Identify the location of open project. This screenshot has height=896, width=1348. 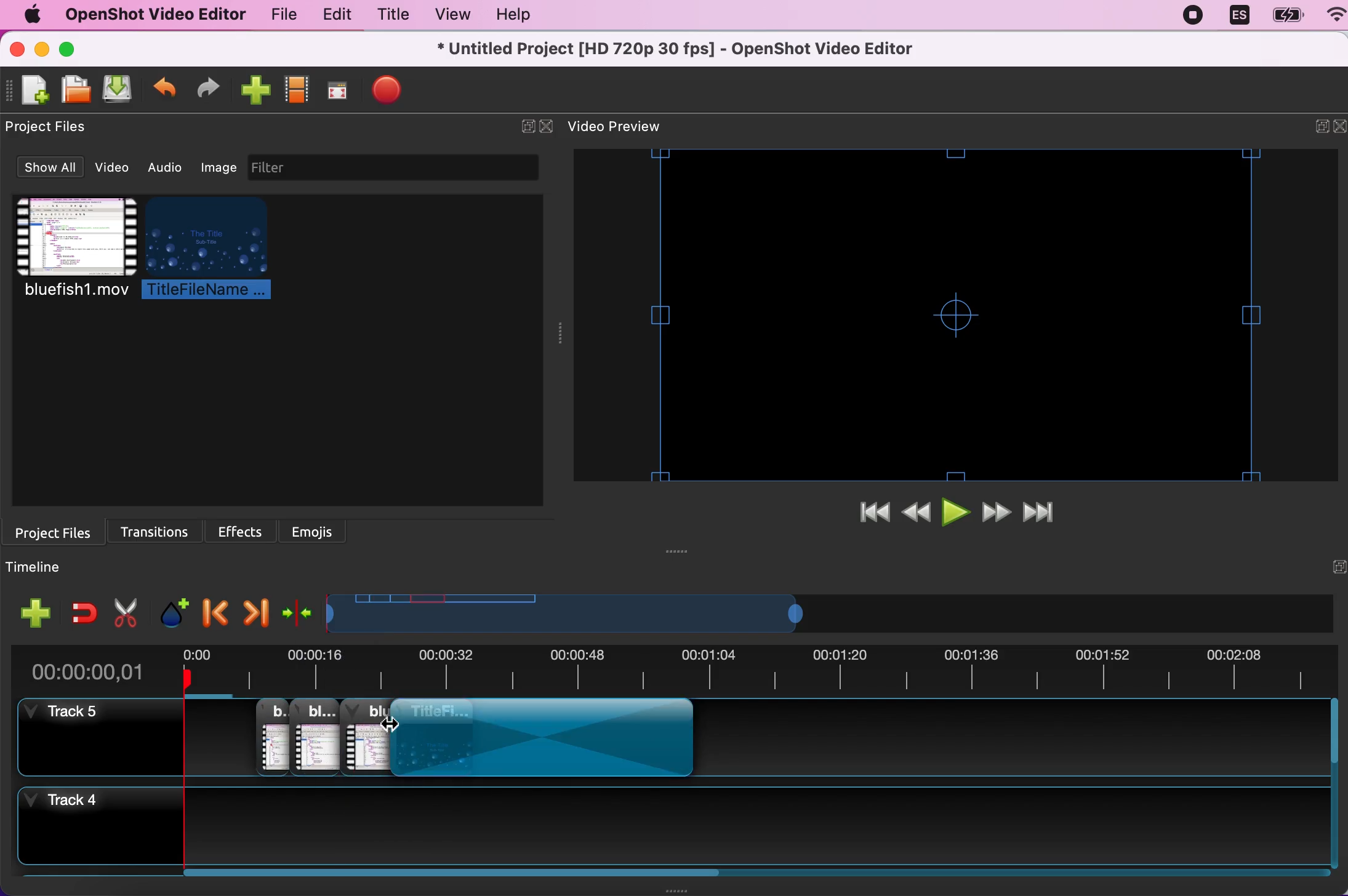
(74, 89).